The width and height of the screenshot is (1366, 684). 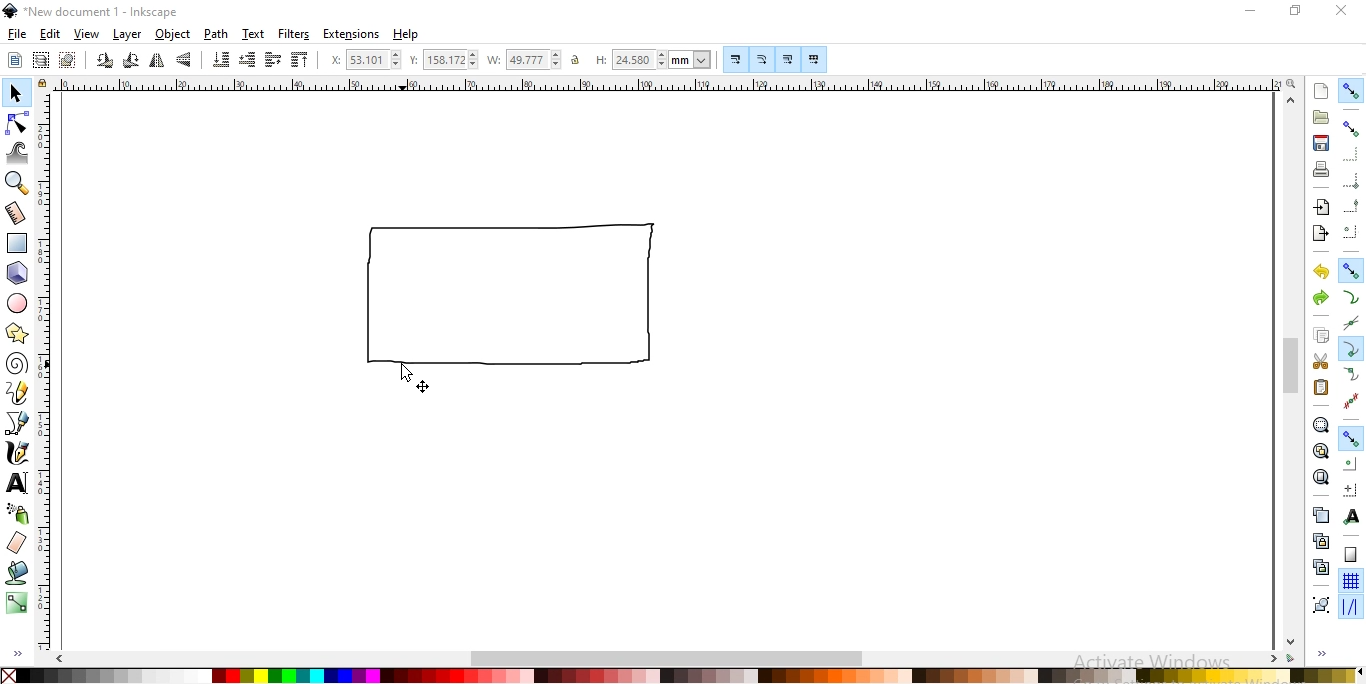 I want to click on open an existing document, so click(x=1321, y=118).